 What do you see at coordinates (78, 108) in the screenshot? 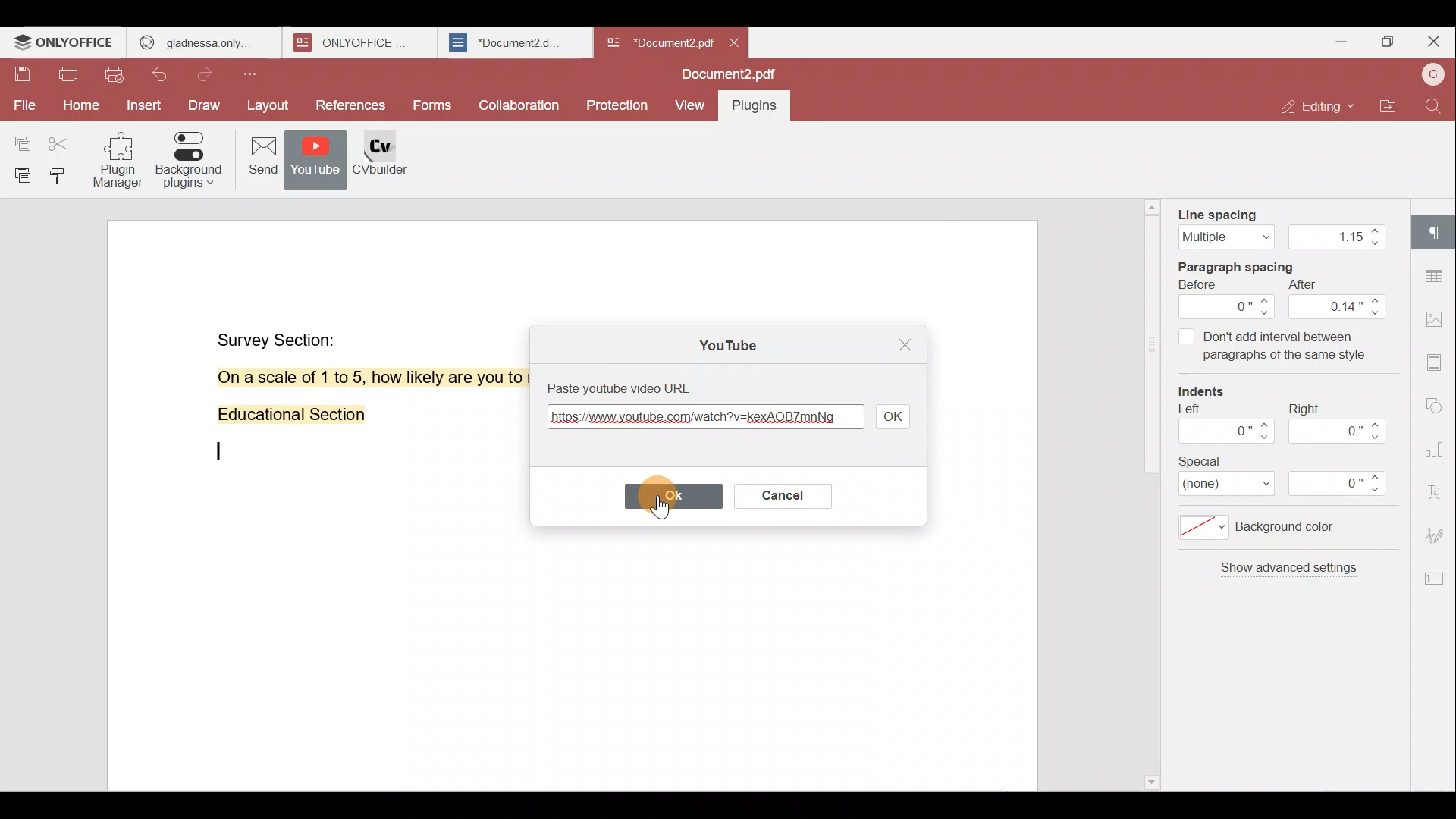
I see `Home` at bounding box center [78, 108].